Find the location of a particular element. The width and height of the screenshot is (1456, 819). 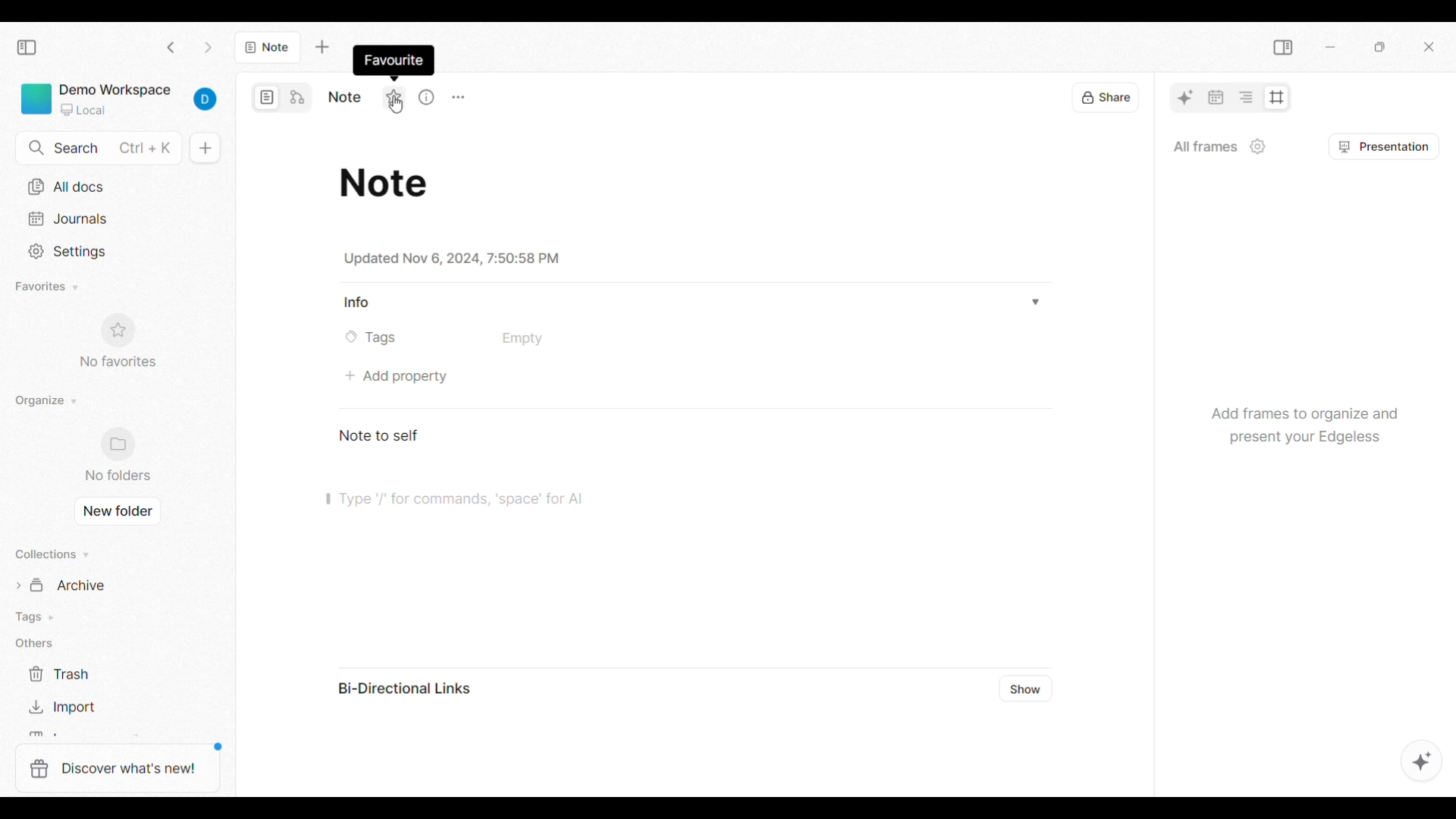

Current edit mode is located at coordinates (268, 98).